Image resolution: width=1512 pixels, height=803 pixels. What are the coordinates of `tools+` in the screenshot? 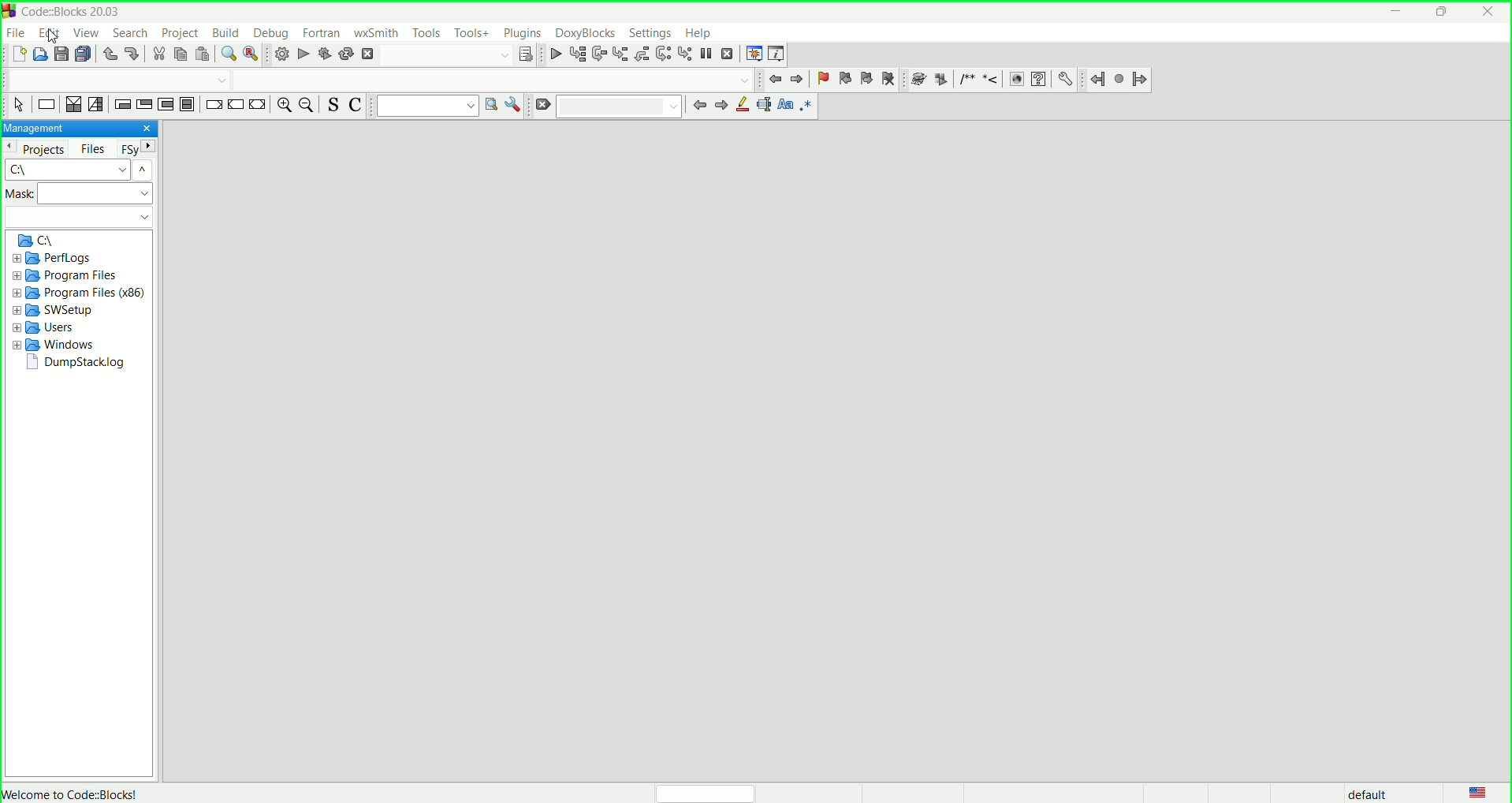 It's located at (470, 32).